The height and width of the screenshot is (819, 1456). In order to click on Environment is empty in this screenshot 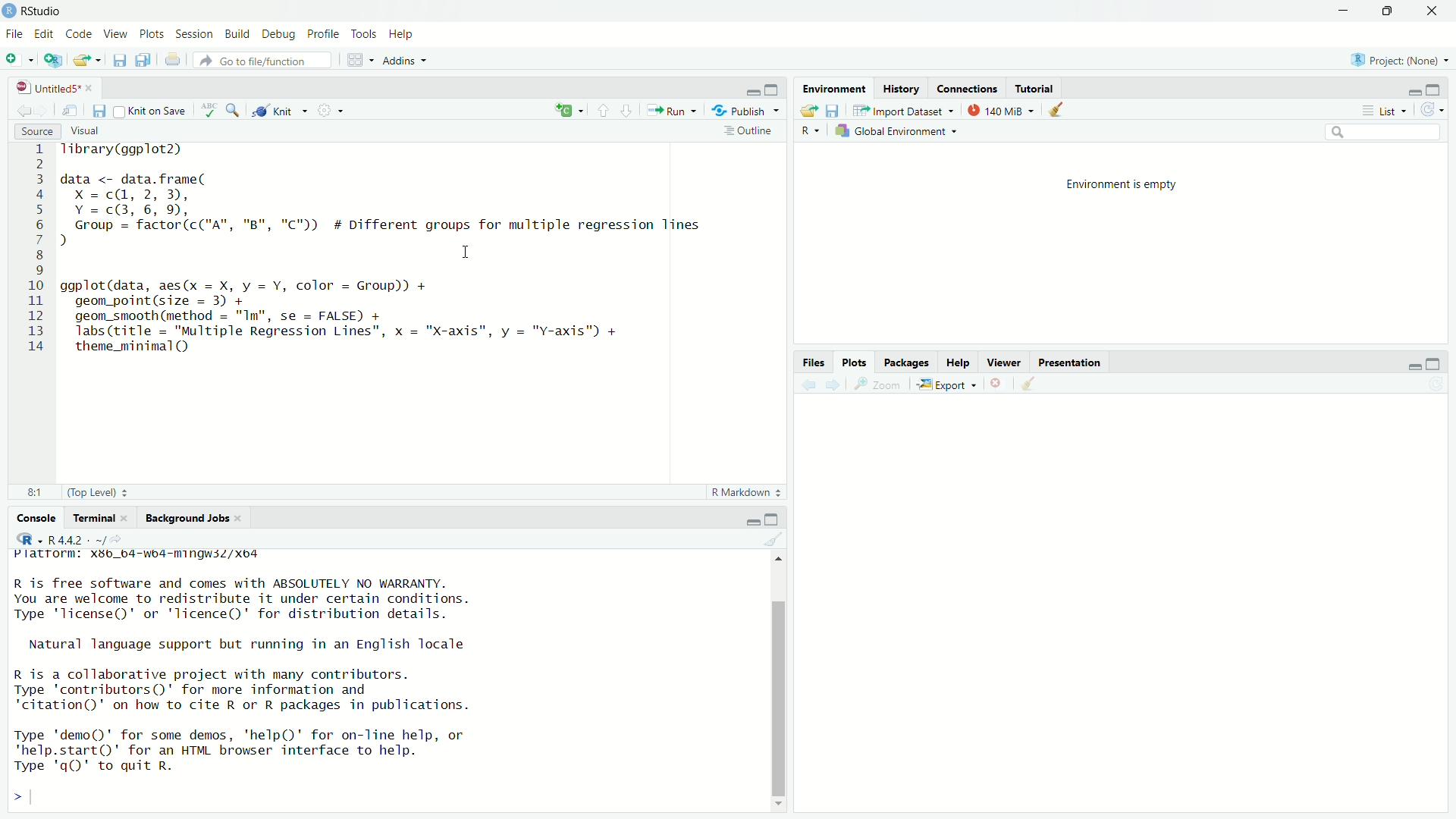, I will do `click(1131, 185)`.